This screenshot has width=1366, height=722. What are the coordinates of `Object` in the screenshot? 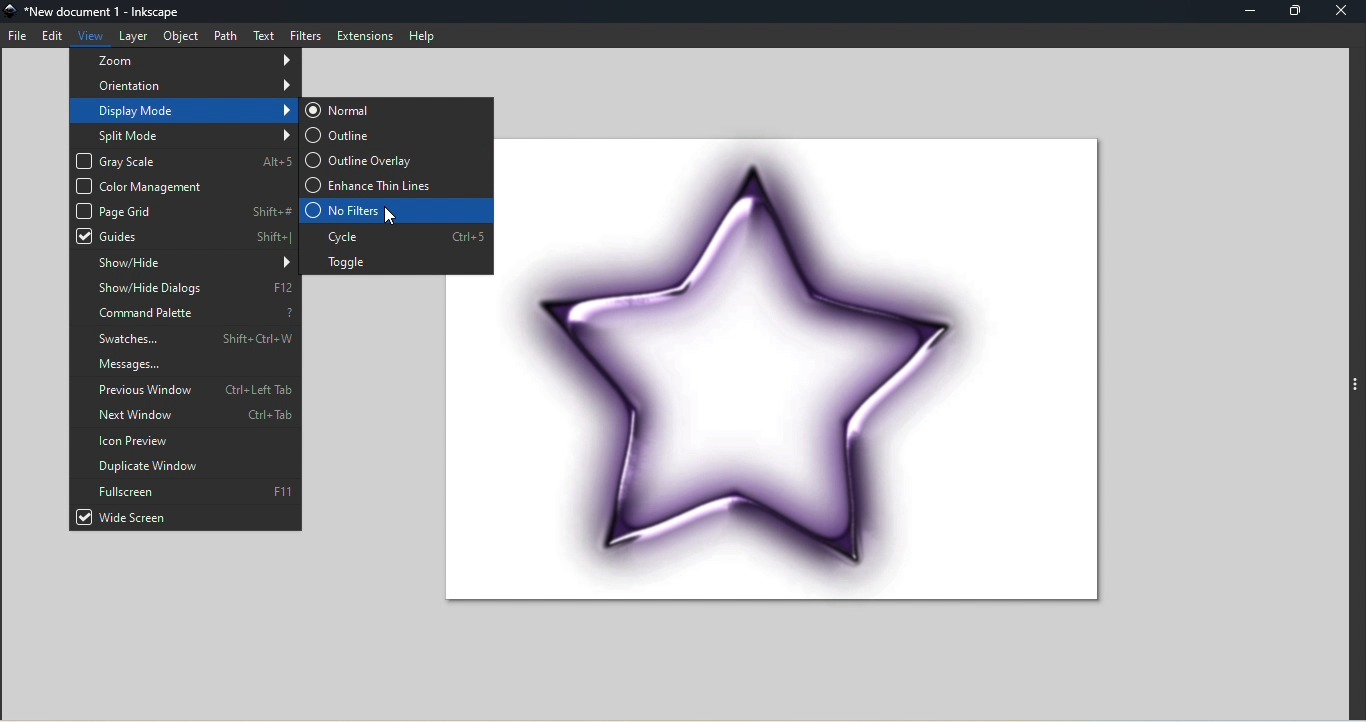 It's located at (180, 35).